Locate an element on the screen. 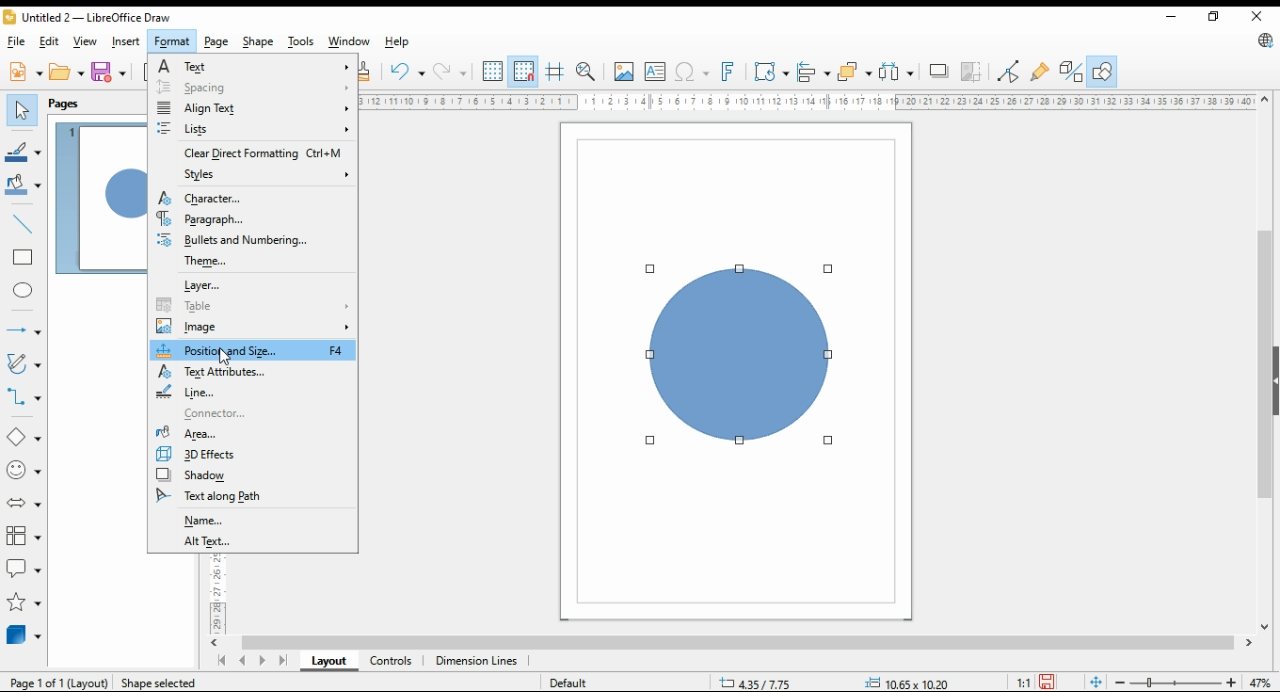  show gluepoint functions is located at coordinates (1043, 70).